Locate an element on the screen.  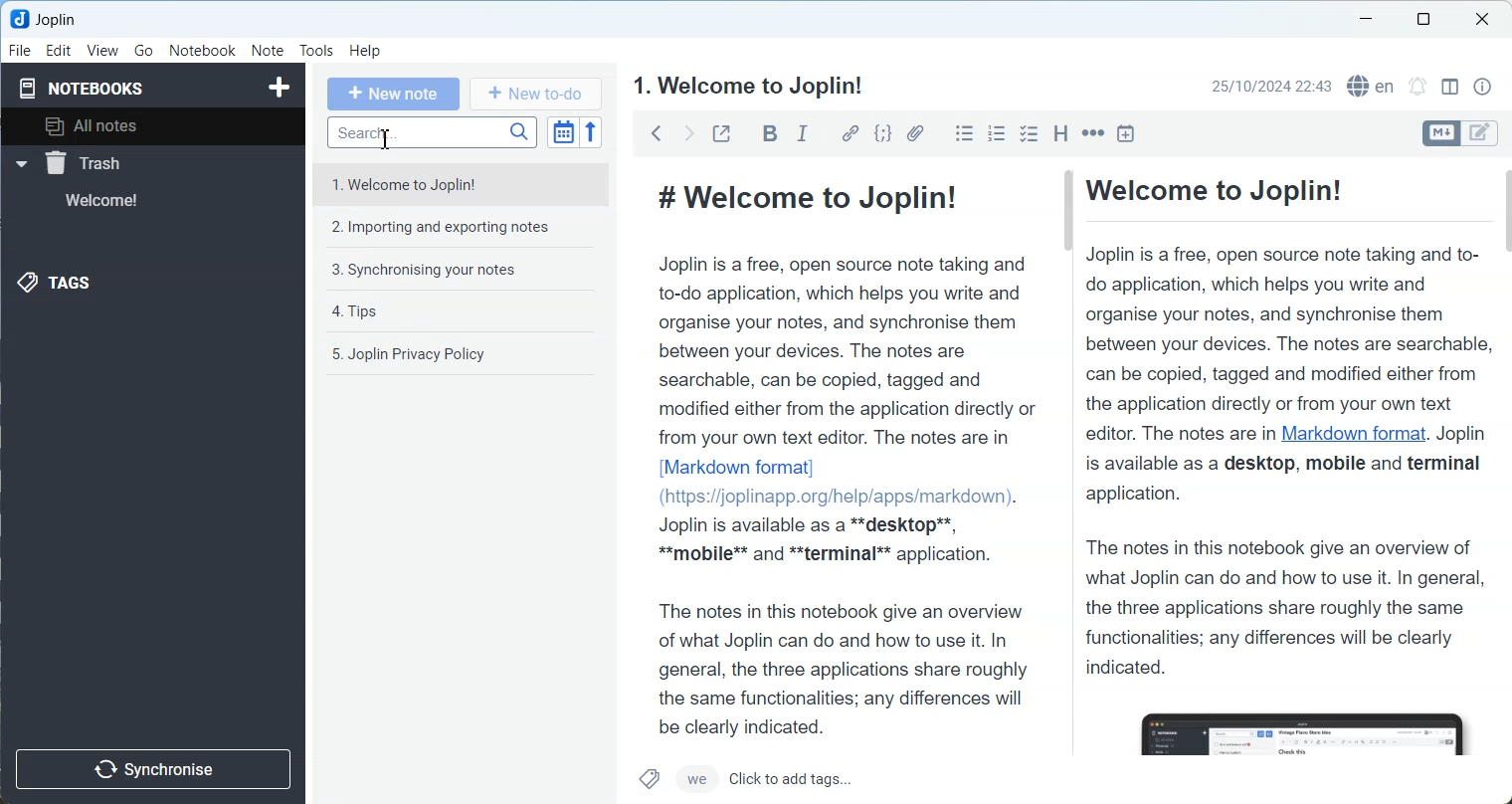
Back is located at coordinates (657, 132).